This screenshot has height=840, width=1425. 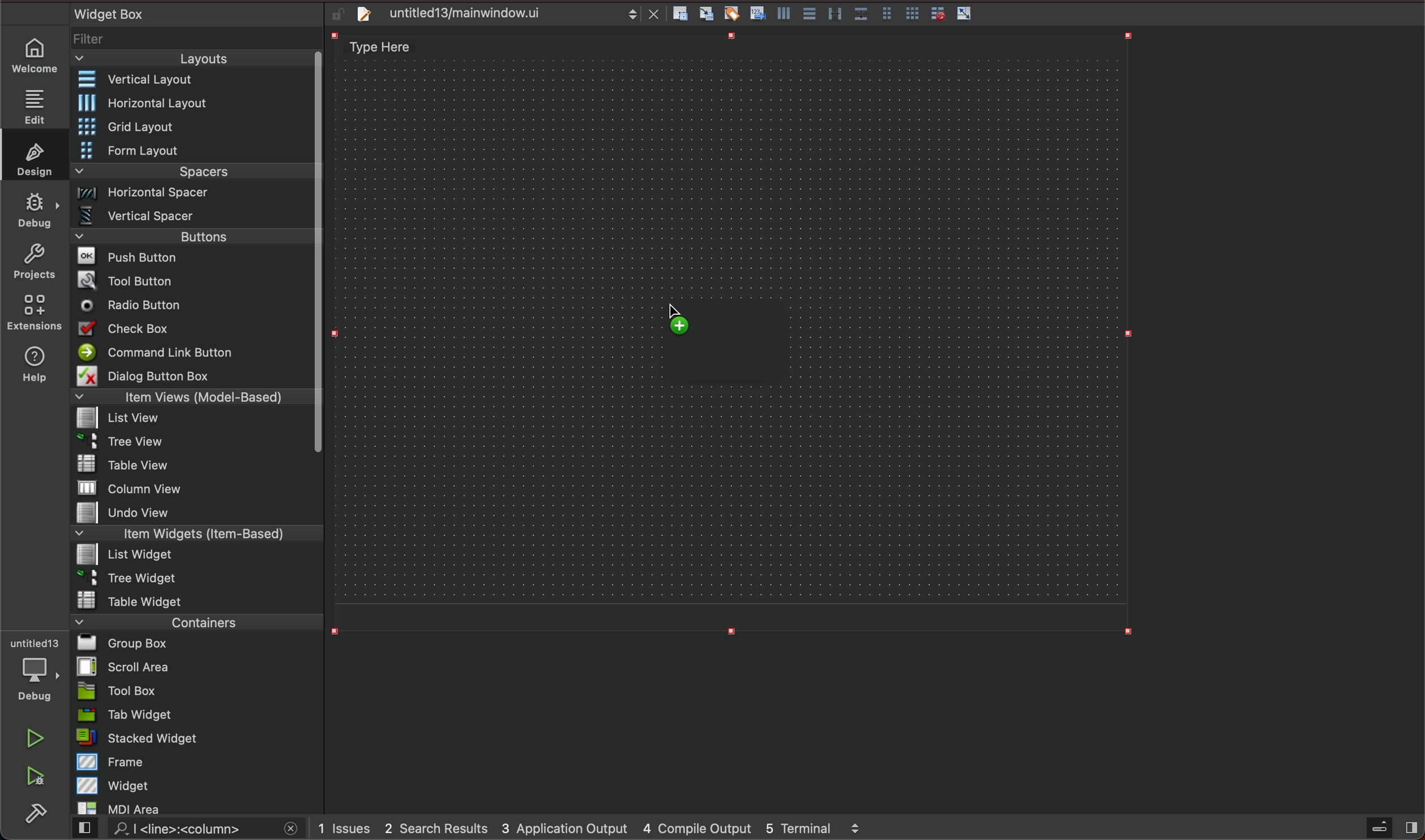 What do you see at coordinates (33, 368) in the screenshot?
I see `help` at bounding box center [33, 368].